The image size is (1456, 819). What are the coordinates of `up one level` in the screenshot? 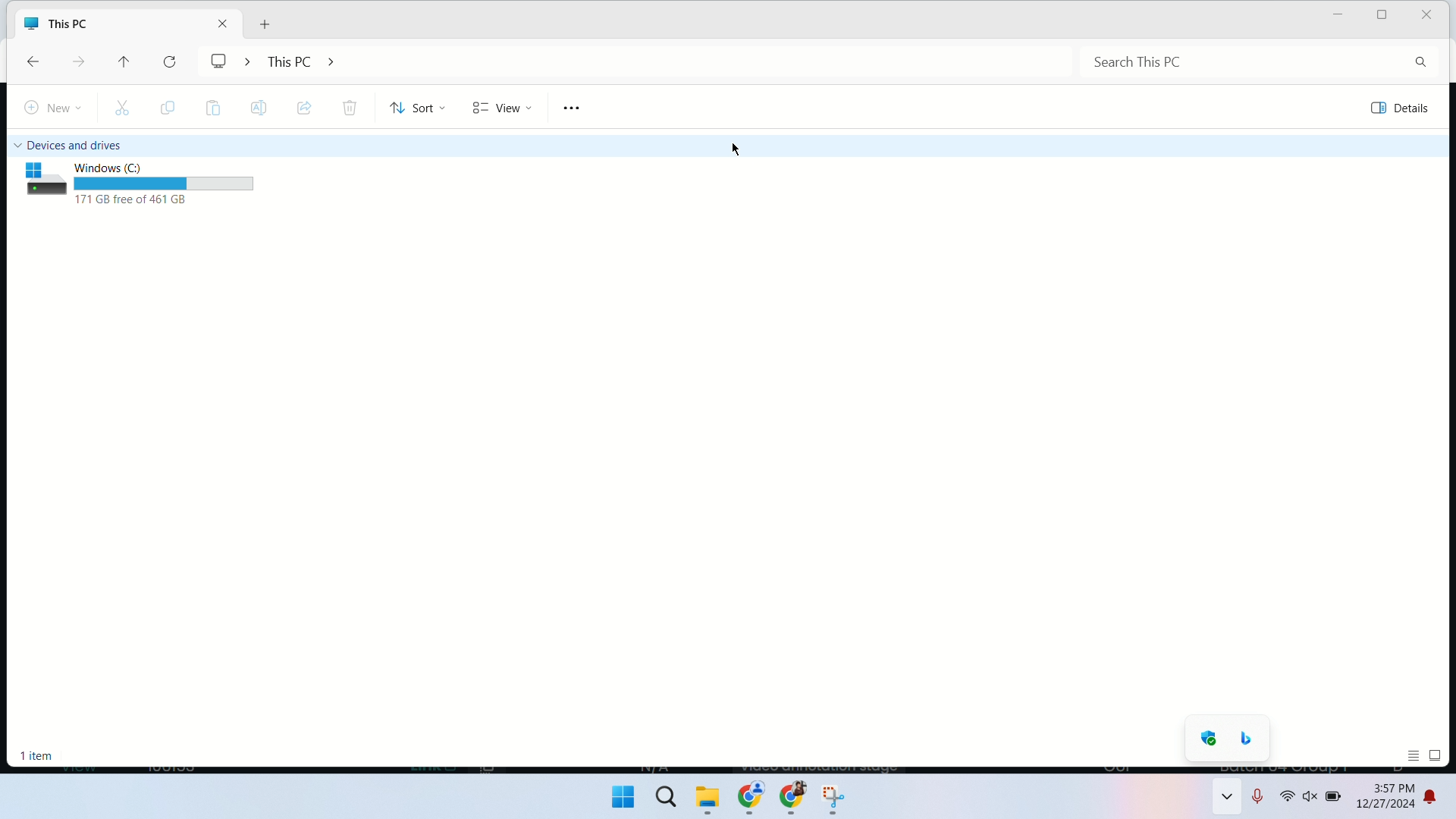 It's located at (127, 63).